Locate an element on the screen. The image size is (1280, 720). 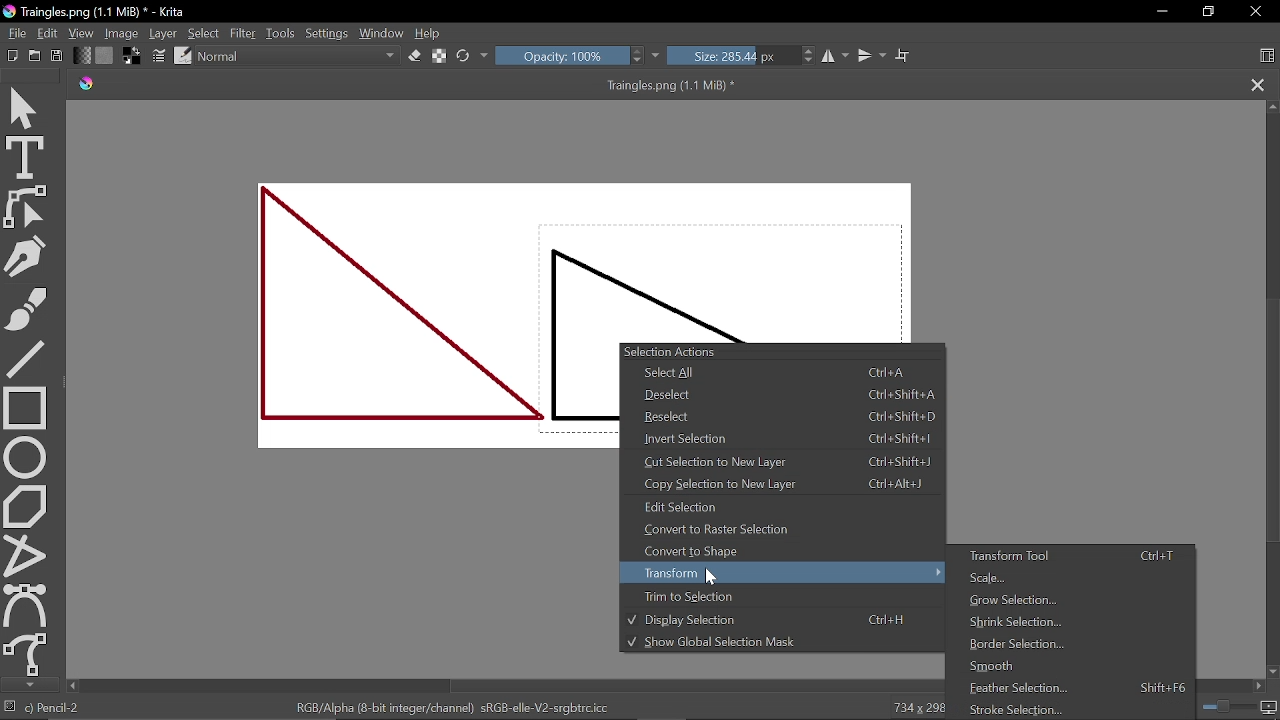
Tools is located at coordinates (280, 33).